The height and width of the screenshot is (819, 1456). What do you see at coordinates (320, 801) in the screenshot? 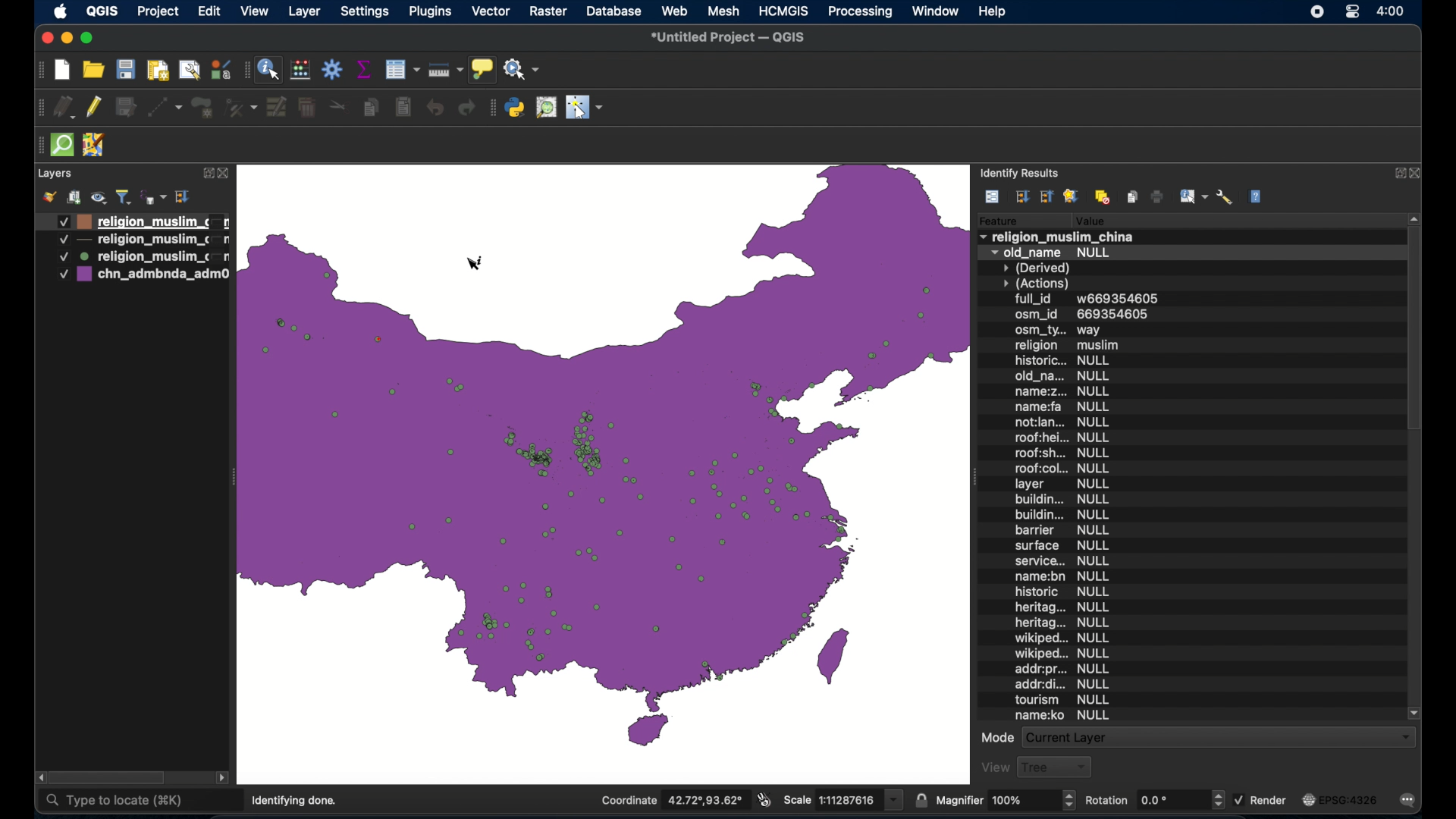
I see `4 legend entries removed` at bounding box center [320, 801].